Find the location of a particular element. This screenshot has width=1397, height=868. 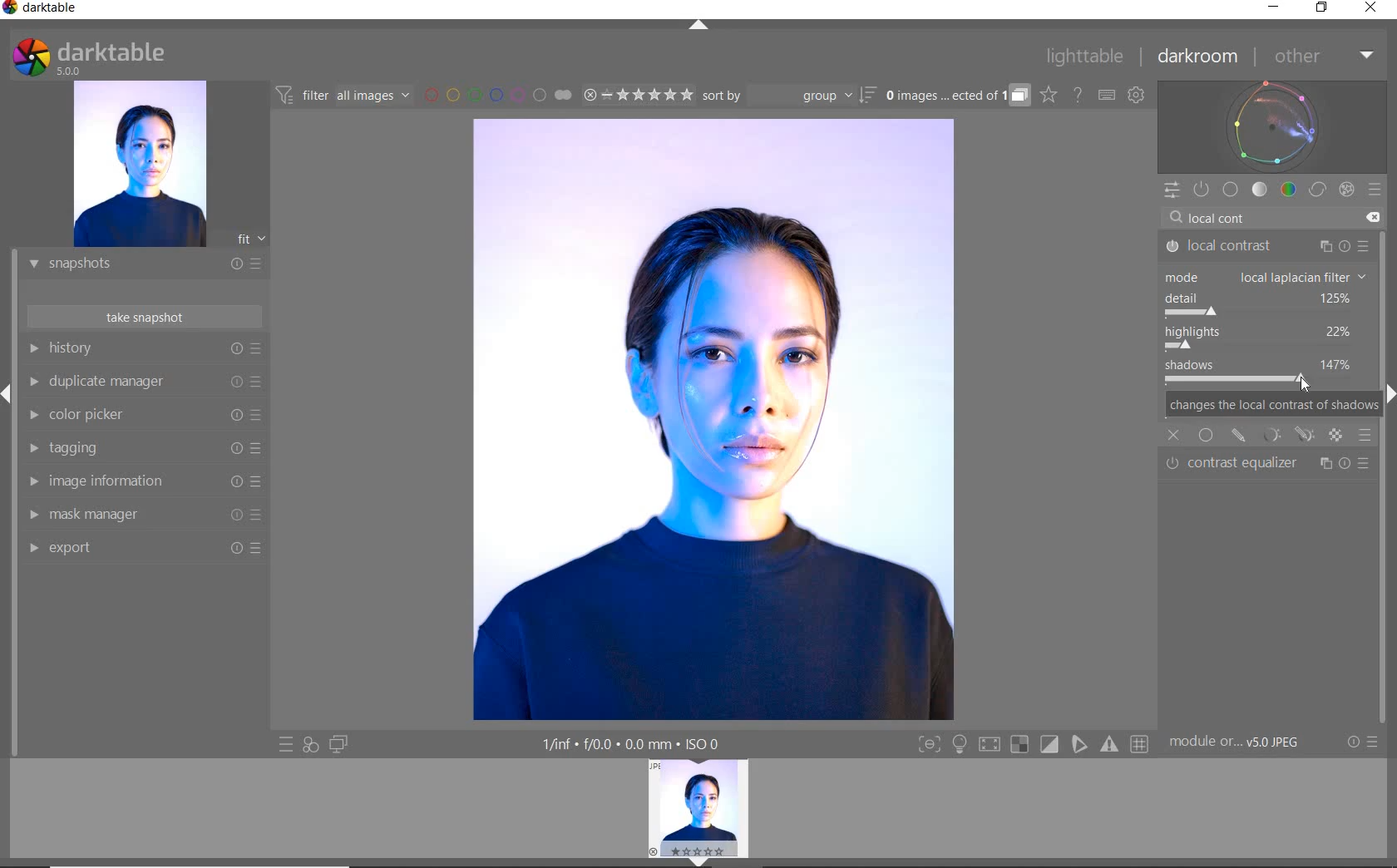

Button is located at coordinates (989, 747).